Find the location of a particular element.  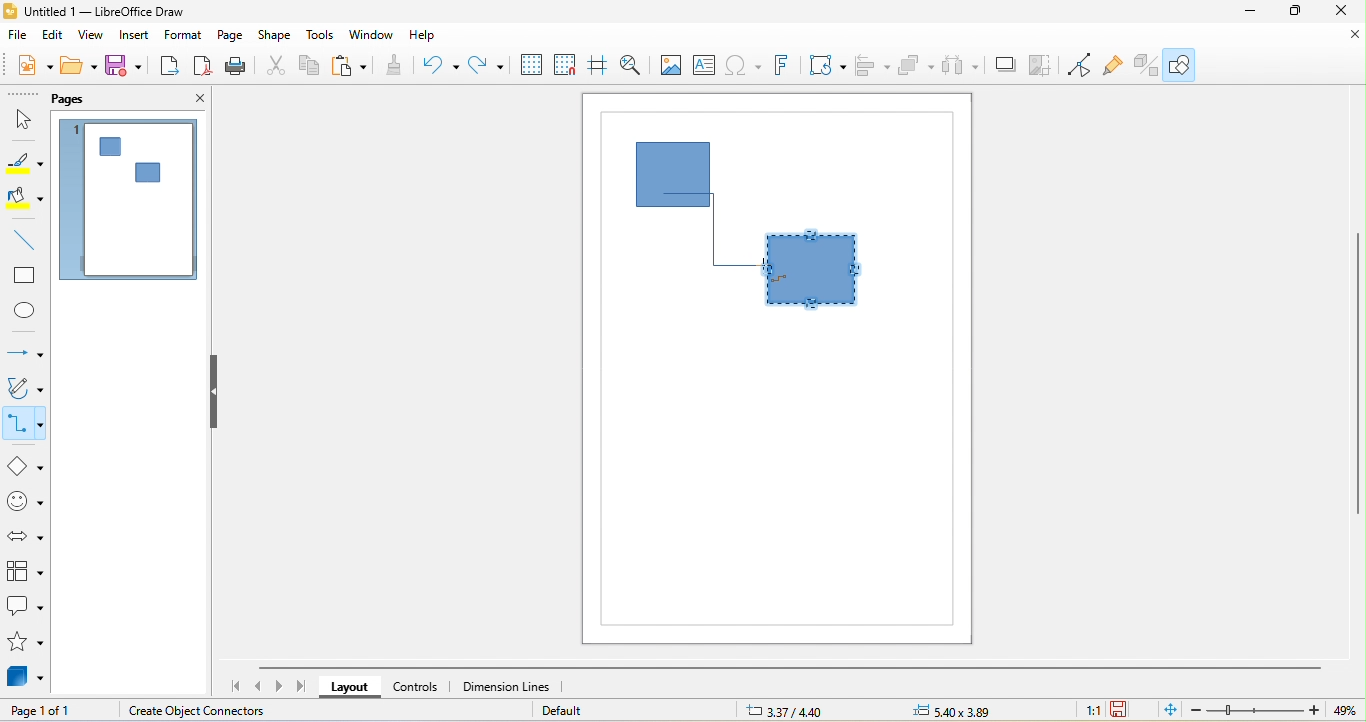

toggle point edit mode is located at coordinates (1084, 64).